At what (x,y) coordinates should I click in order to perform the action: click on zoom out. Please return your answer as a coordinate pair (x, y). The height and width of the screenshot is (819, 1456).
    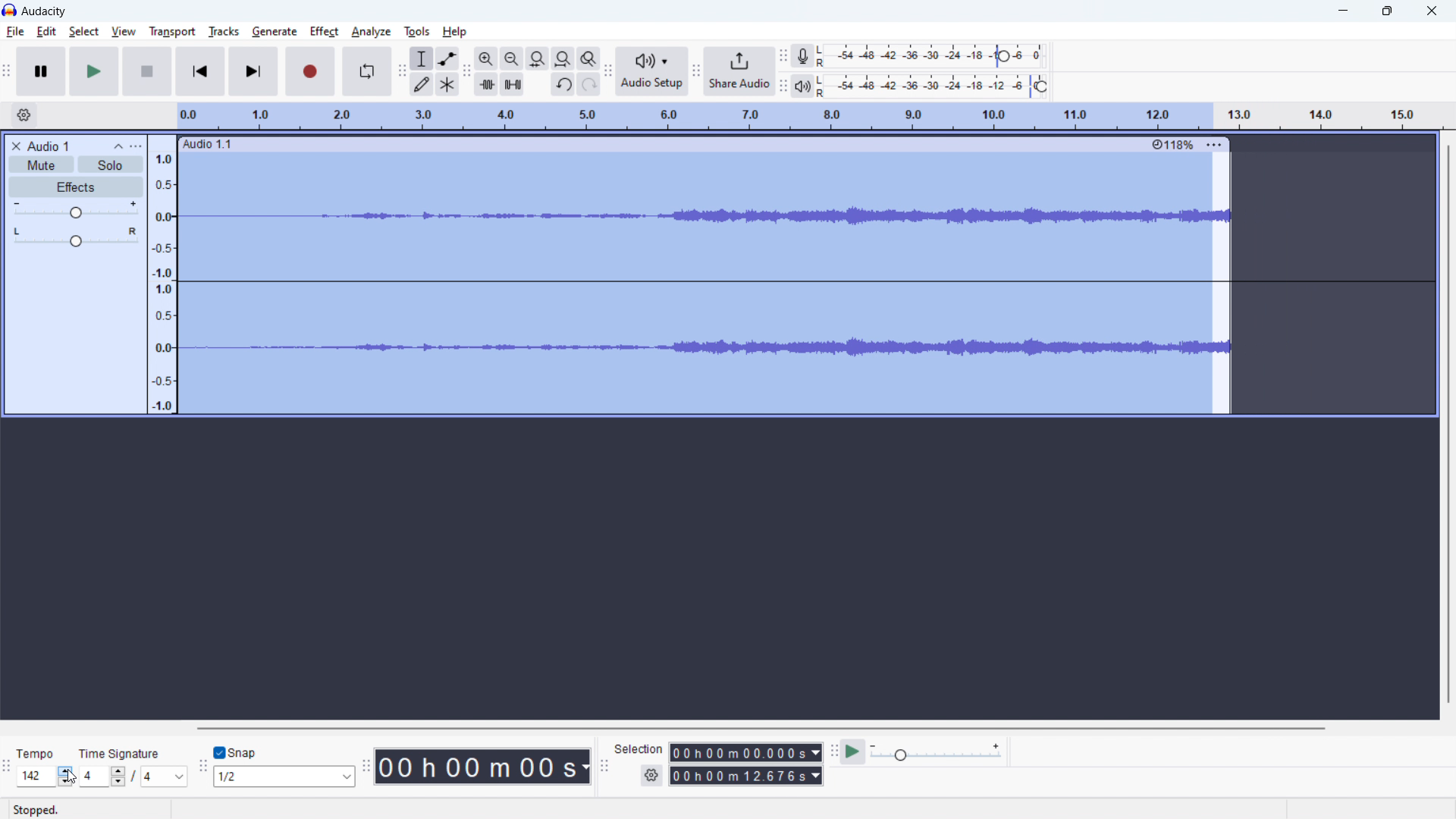
    Looking at the image, I should click on (486, 58).